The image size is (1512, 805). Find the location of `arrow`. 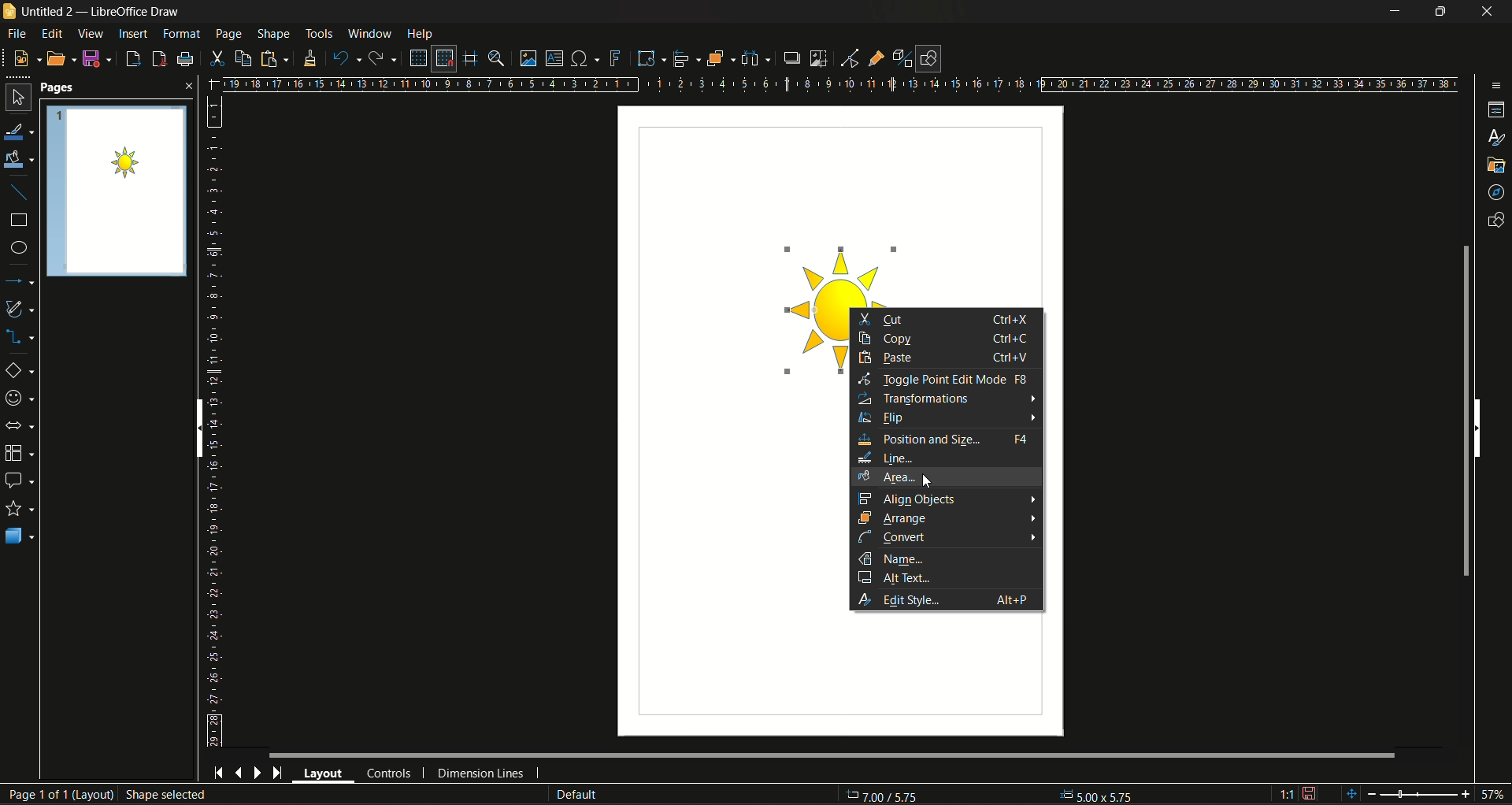

arrow is located at coordinates (1027, 498).